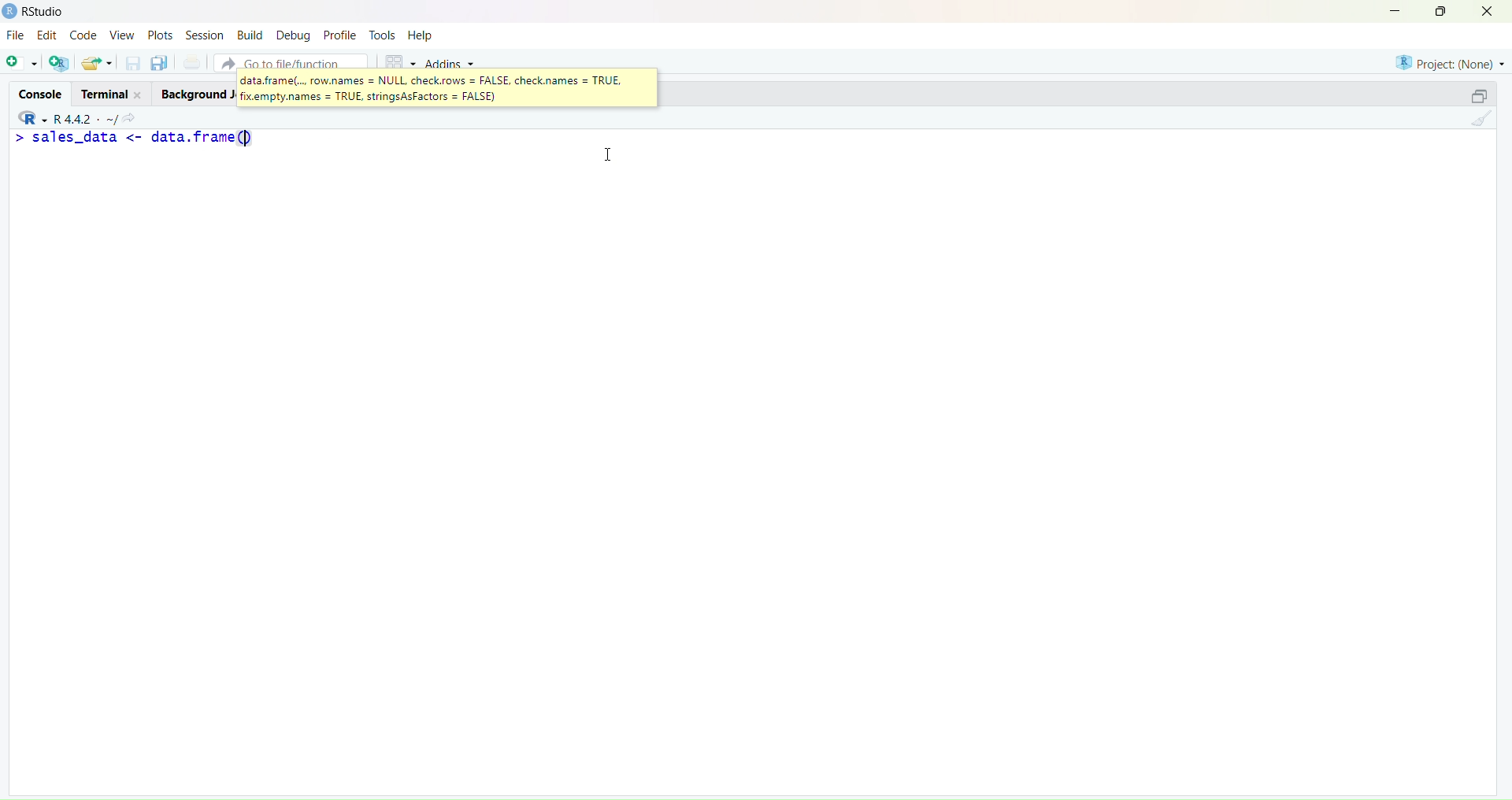  I want to click on Profile, so click(340, 36).